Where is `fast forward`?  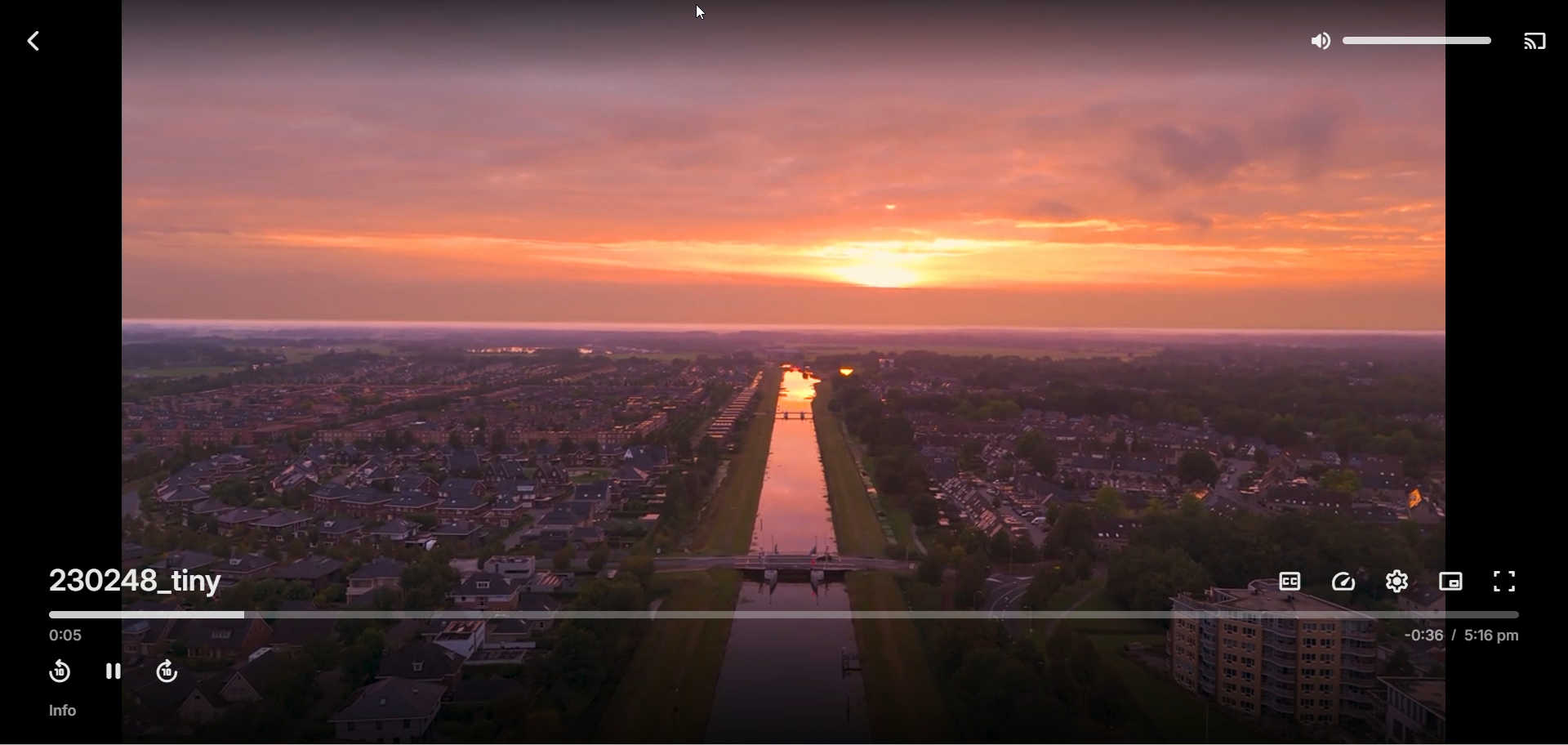
fast forward is located at coordinates (169, 671).